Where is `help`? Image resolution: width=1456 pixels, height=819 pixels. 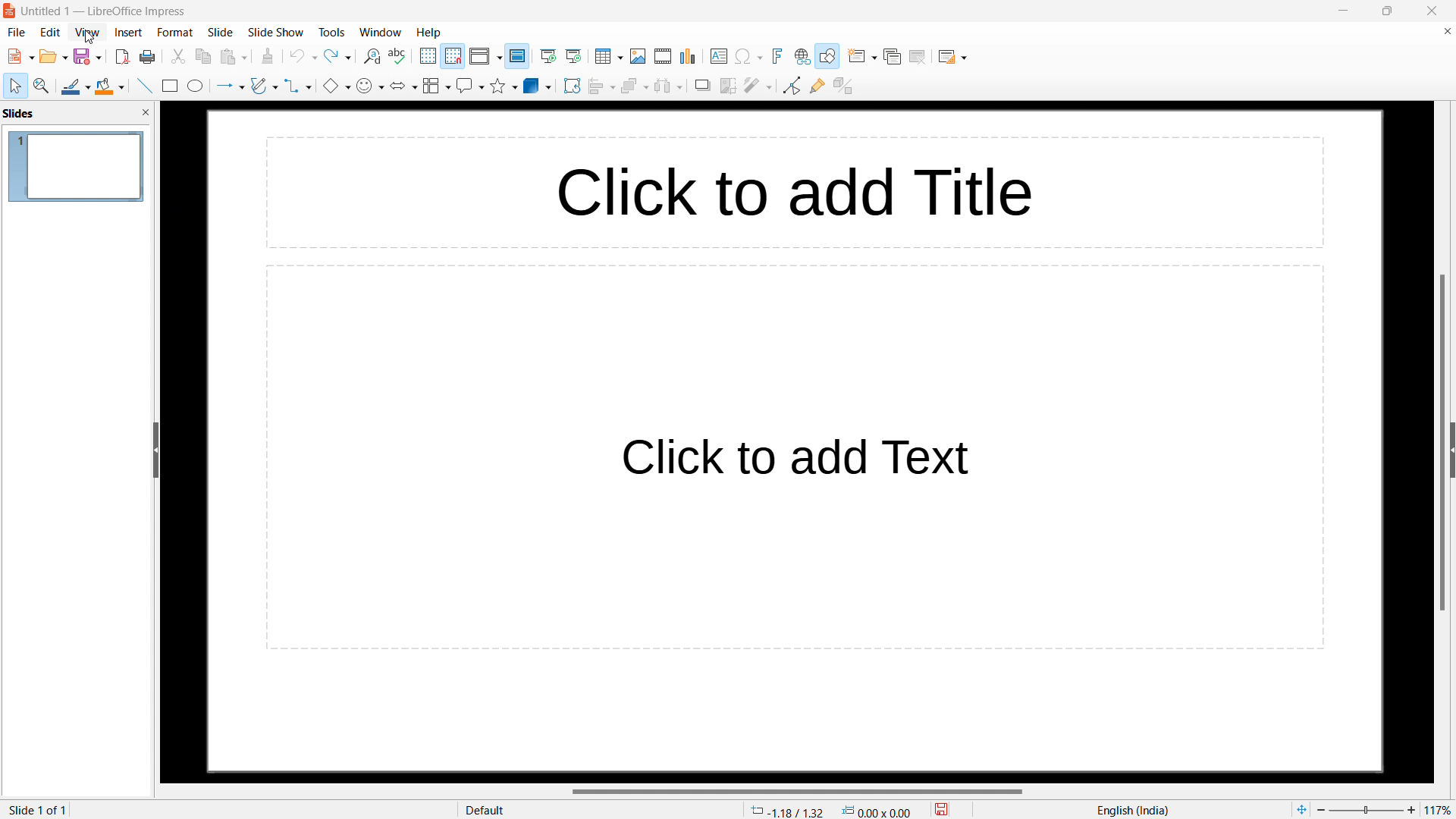
help is located at coordinates (428, 33).